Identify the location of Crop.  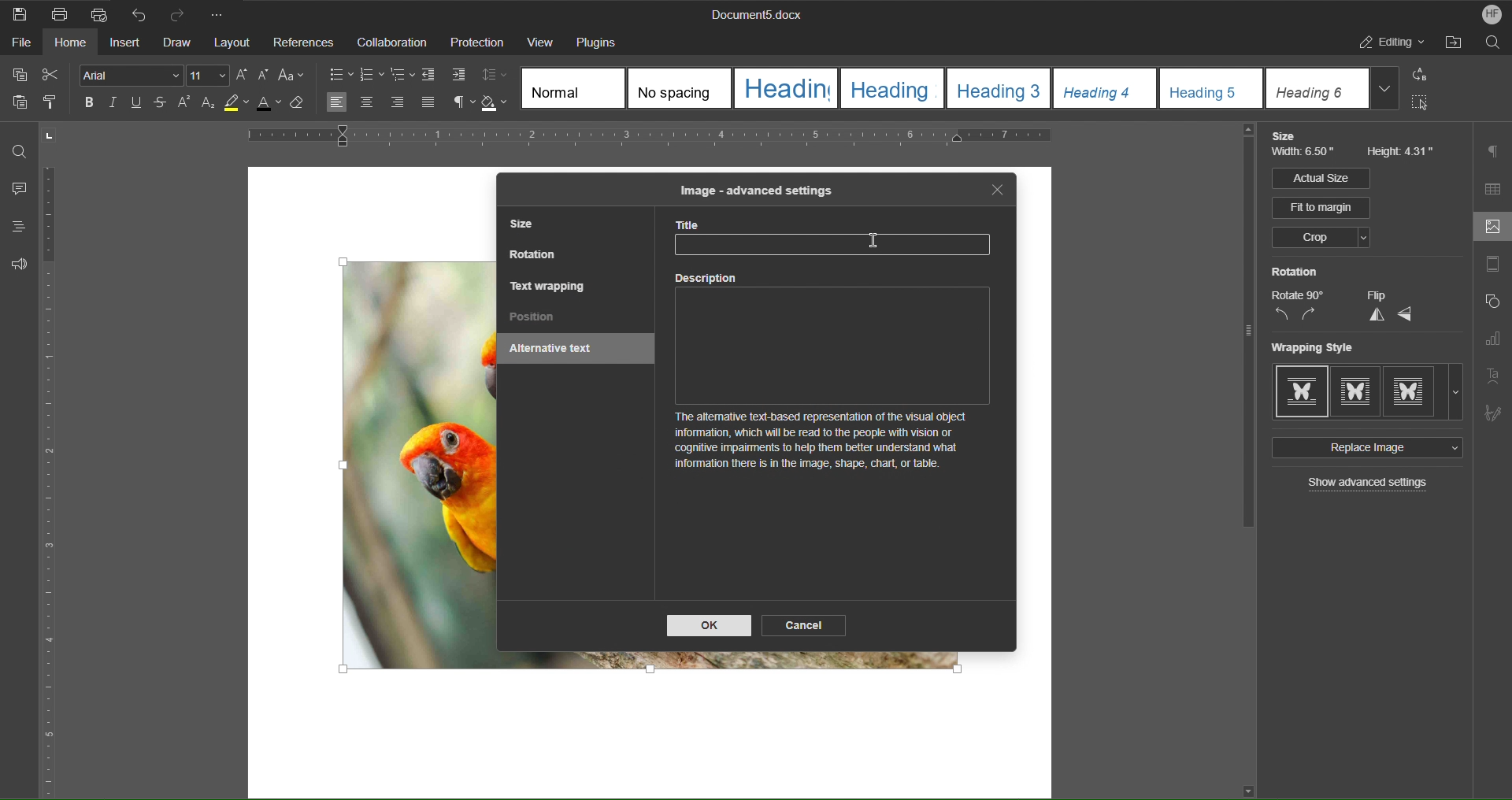
(1320, 239).